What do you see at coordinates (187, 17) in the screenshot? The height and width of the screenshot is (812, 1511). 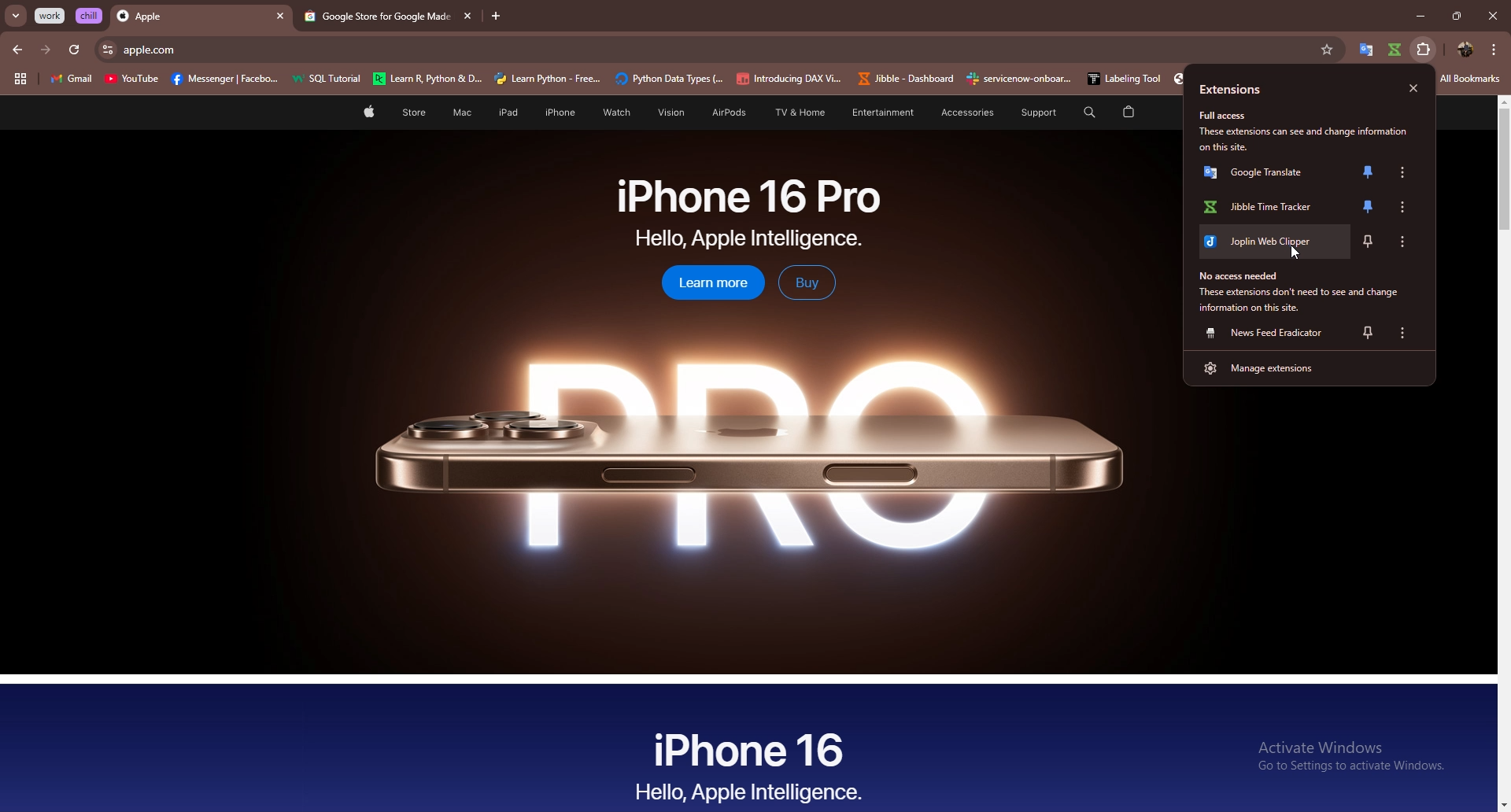 I see `Apple` at bounding box center [187, 17].